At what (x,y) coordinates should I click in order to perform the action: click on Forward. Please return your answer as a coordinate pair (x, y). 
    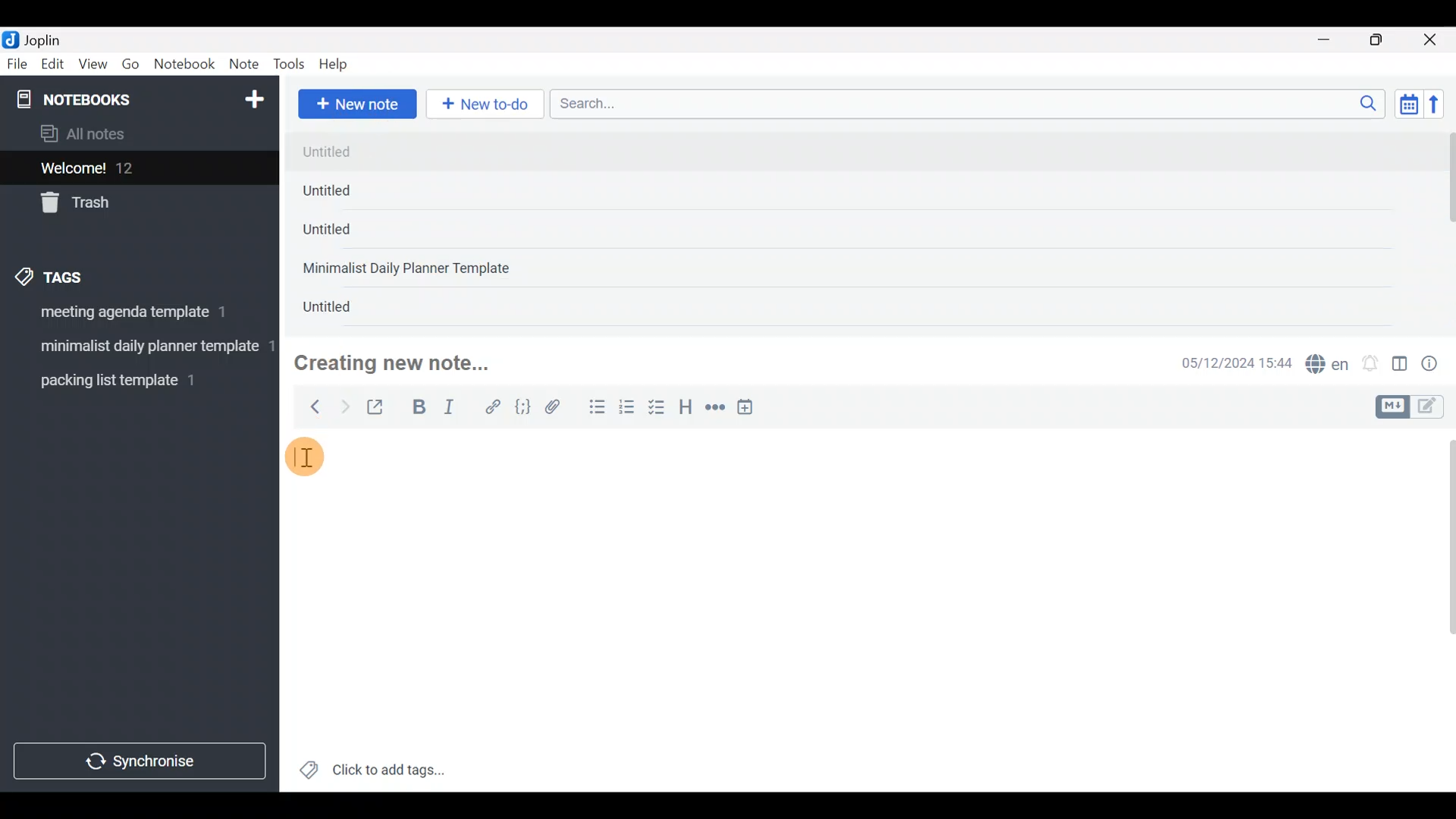
    Looking at the image, I should click on (344, 406).